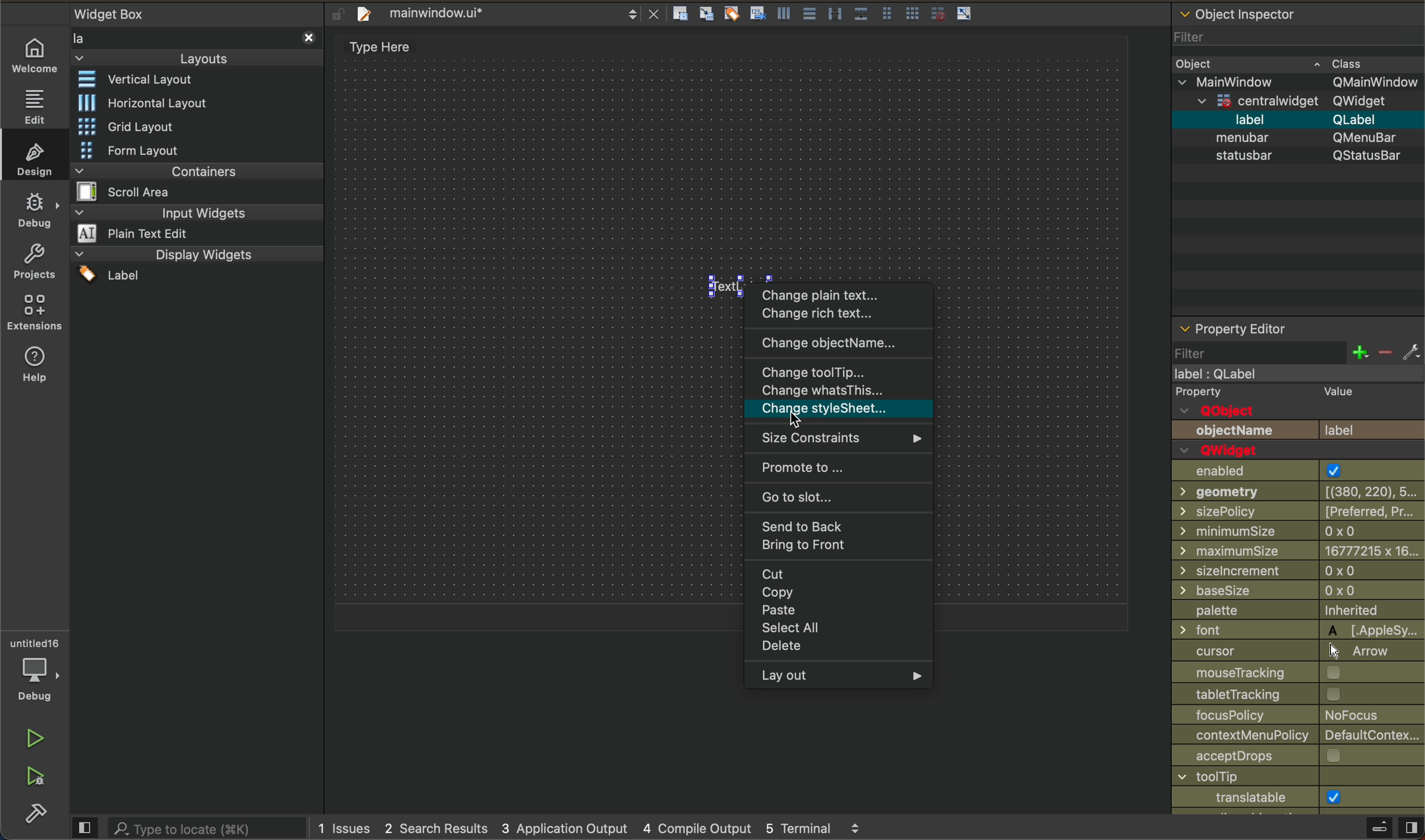  Describe the element at coordinates (32, 366) in the screenshot. I see `help` at that location.